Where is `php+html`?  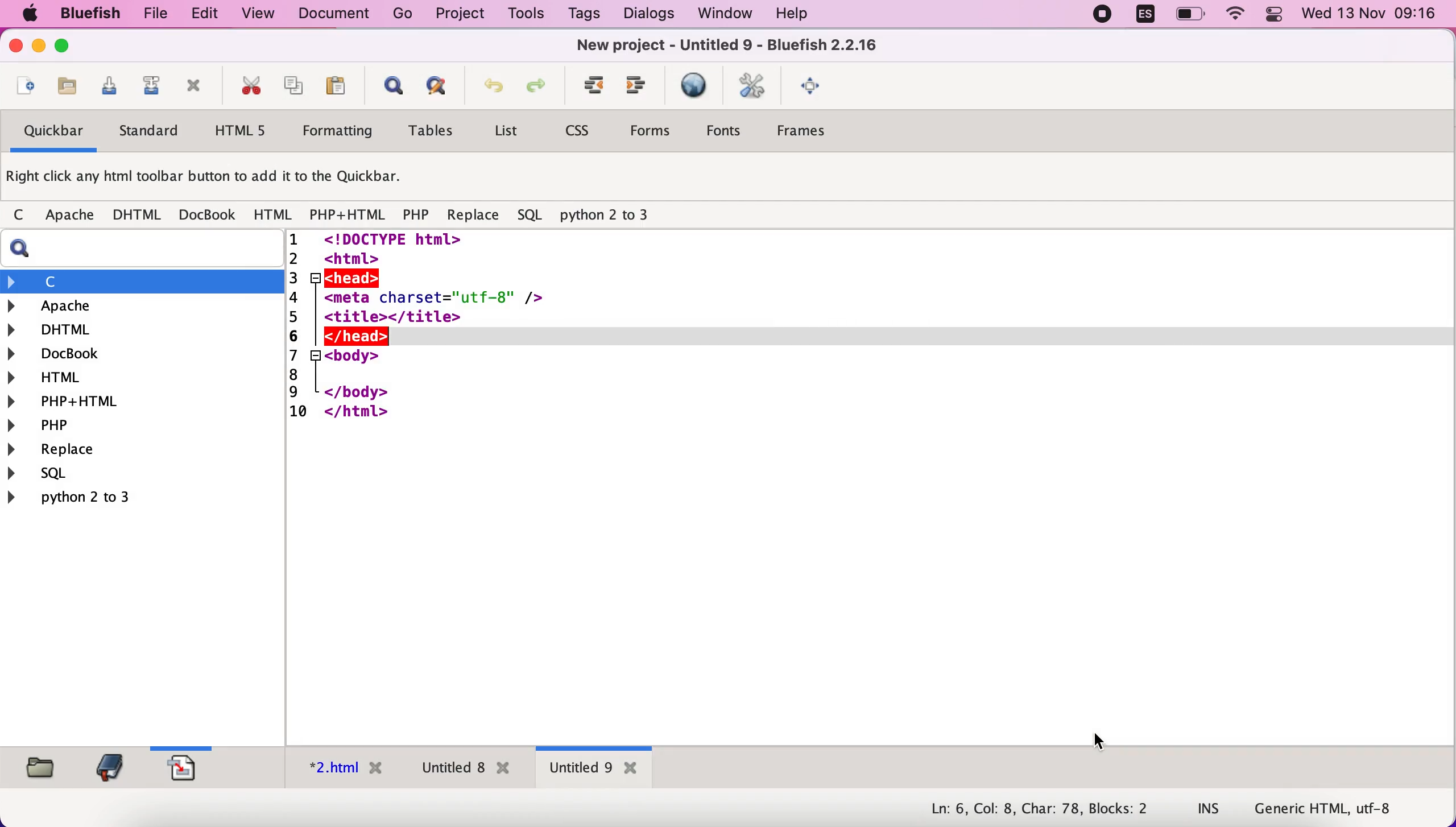 php+html is located at coordinates (347, 215).